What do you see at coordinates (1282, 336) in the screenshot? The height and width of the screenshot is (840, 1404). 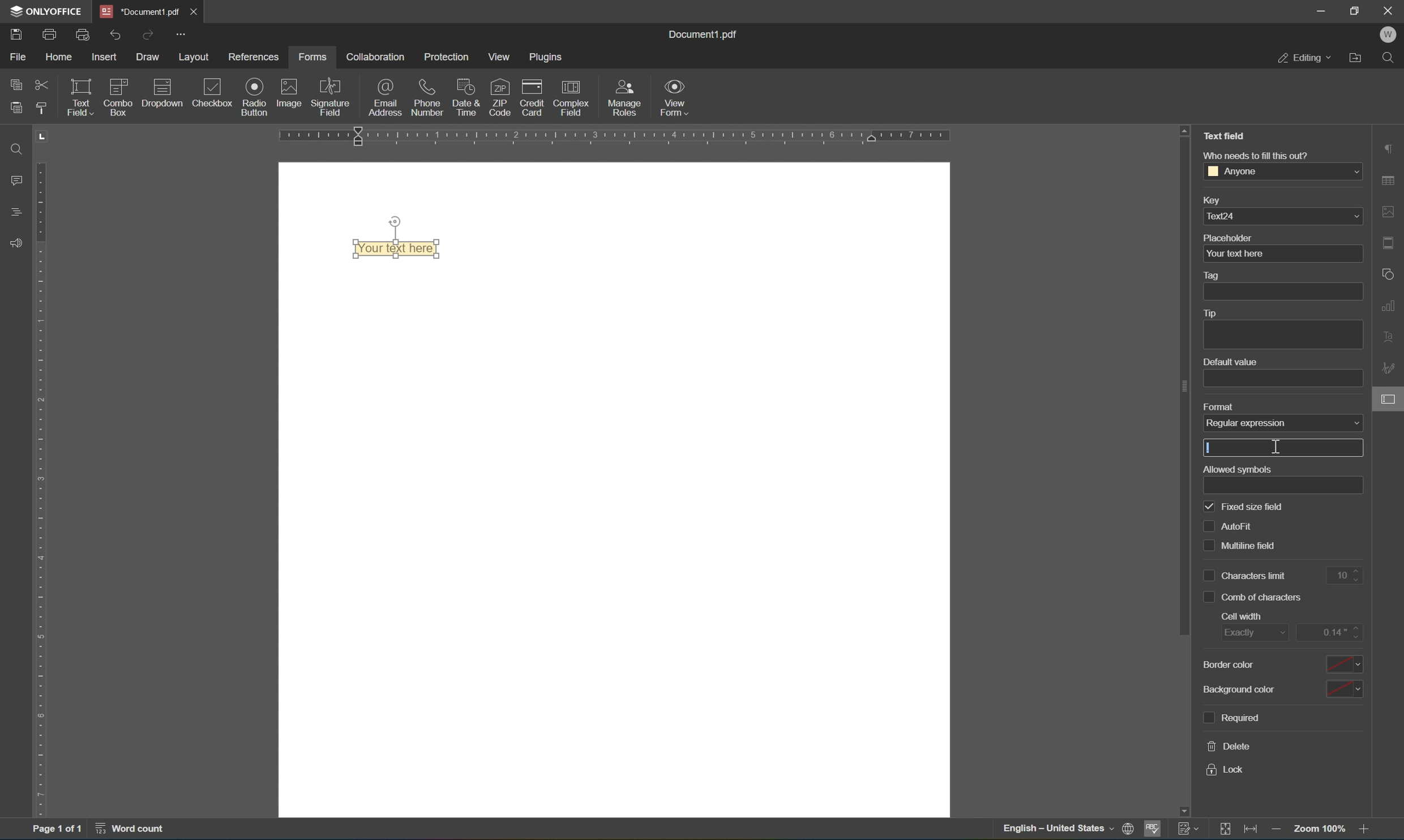 I see `add tip` at bounding box center [1282, 336].